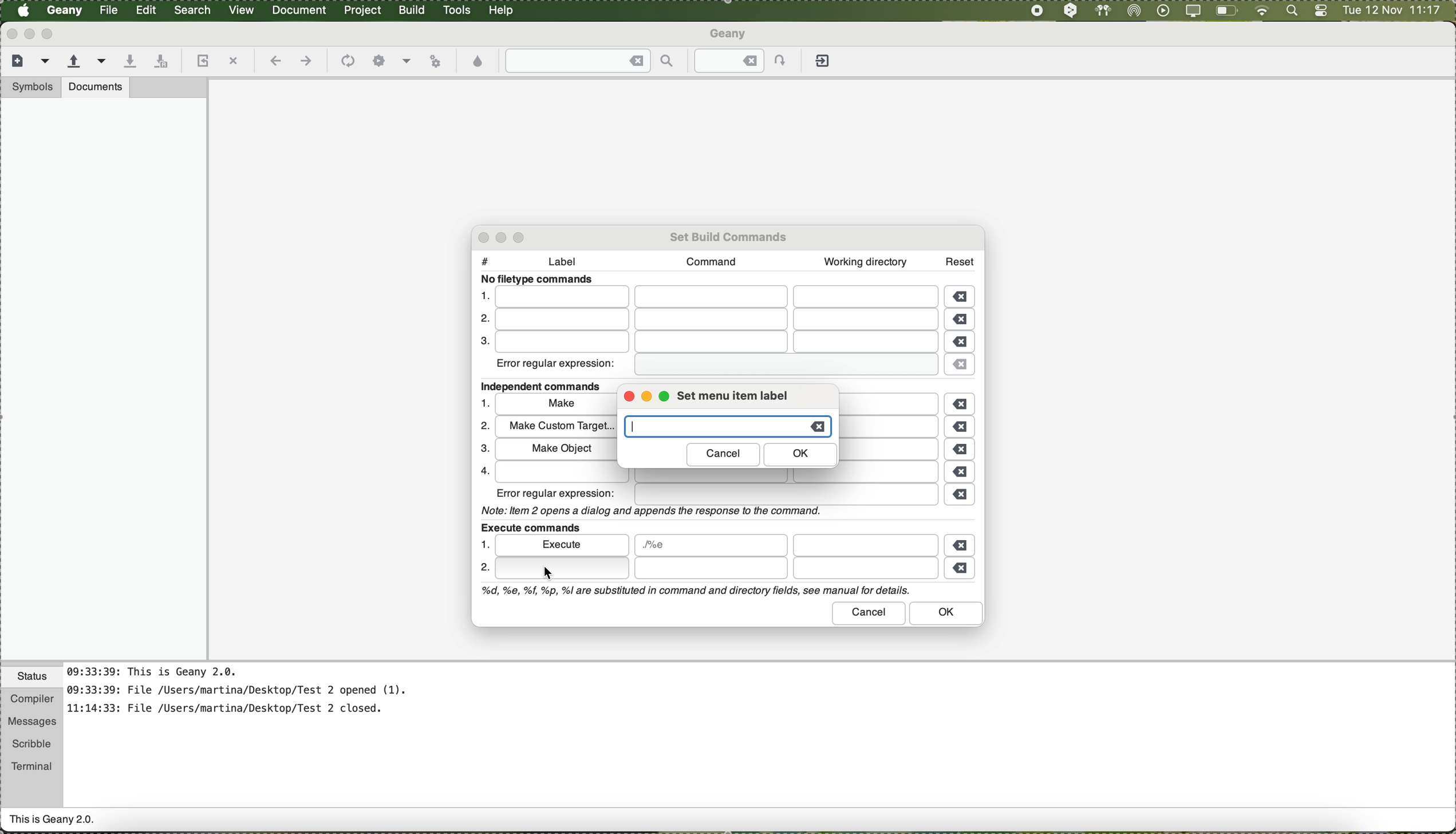  I want to click on messages, so click(31, 722).